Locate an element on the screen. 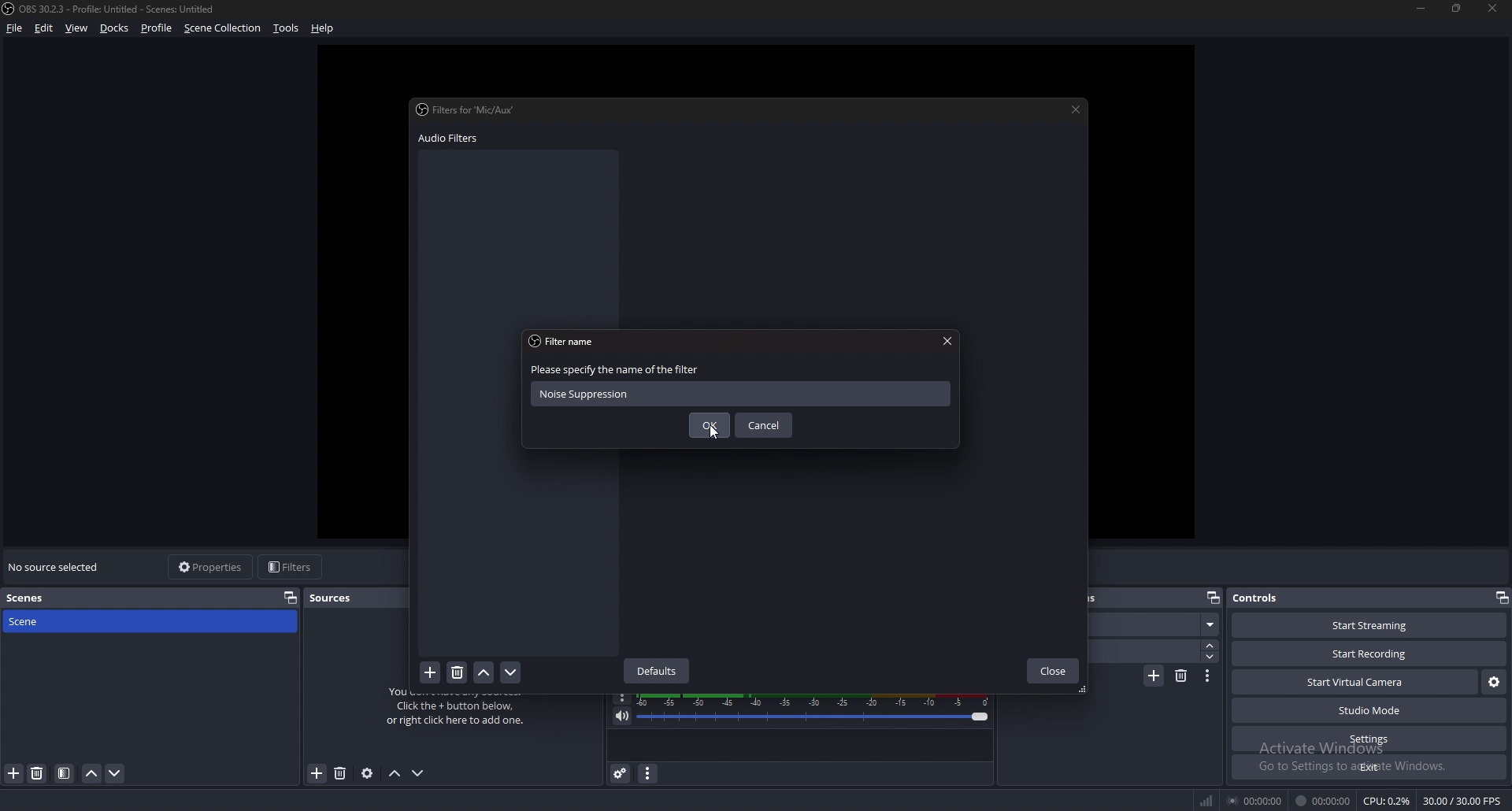 This screenshot has height=811, width=1512. add transition is located at coordinates (1152, 677).